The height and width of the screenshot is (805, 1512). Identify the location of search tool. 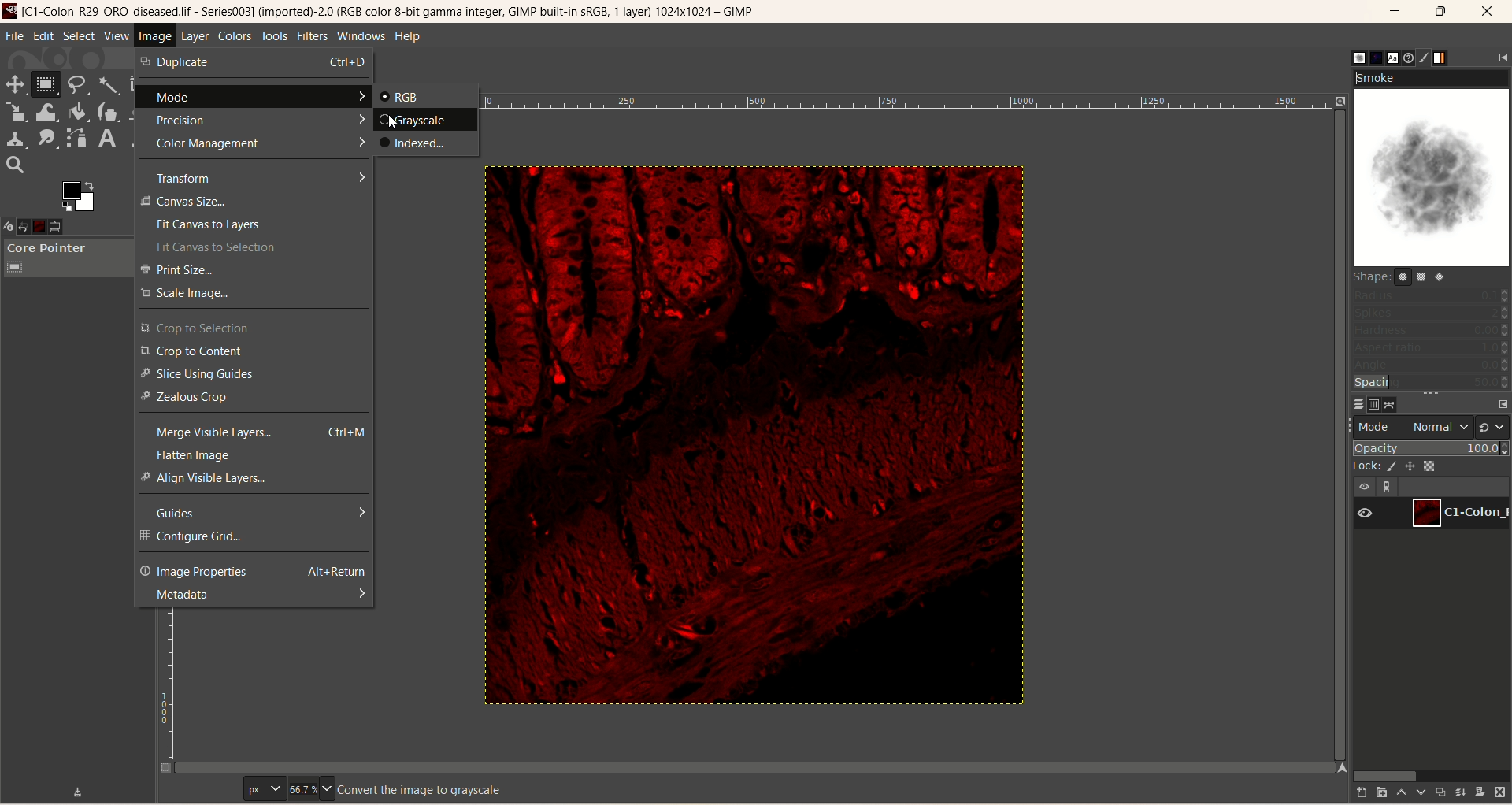
(15, 166).